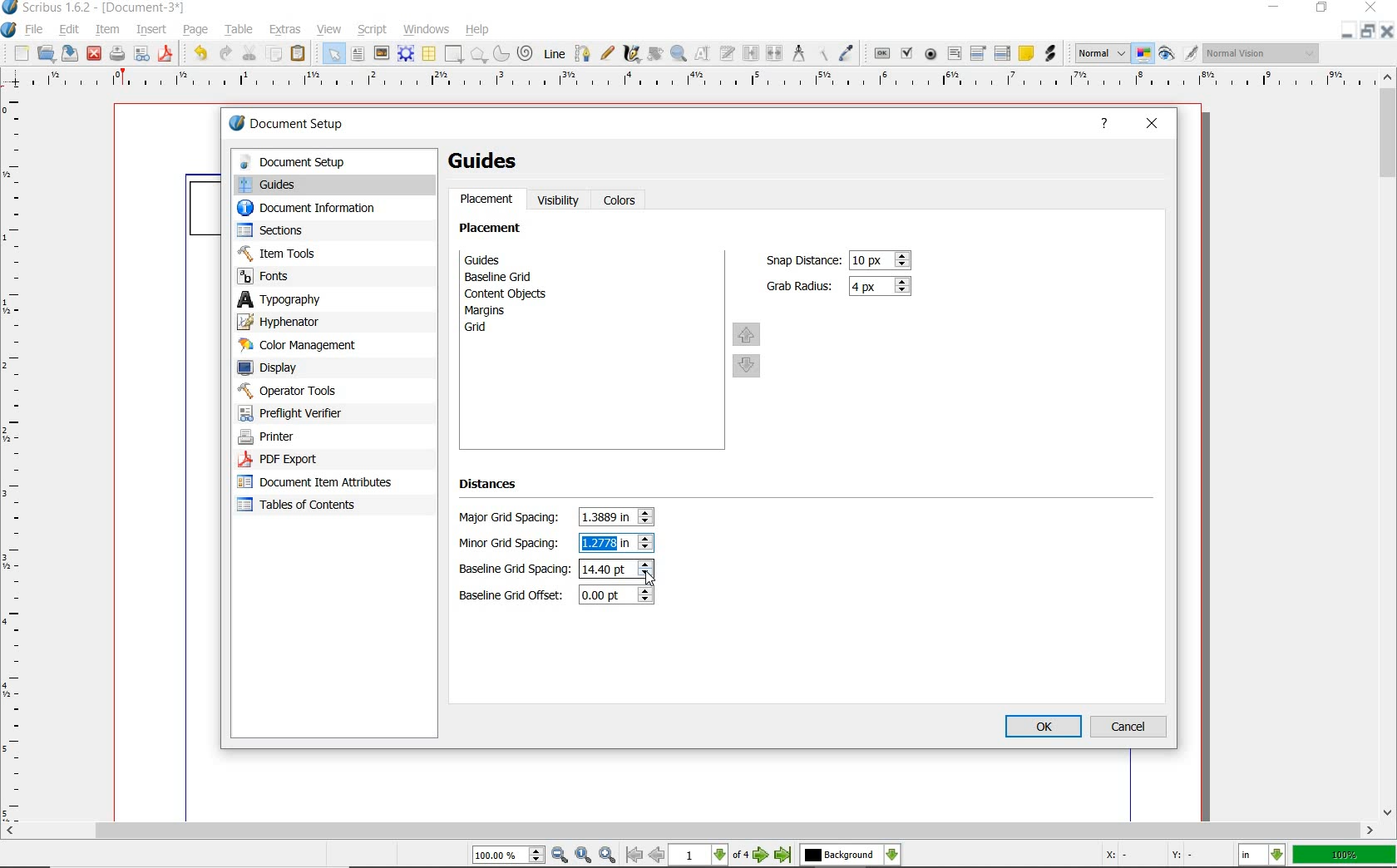 The height and width of the screenshot is (868, 1397). Describe the element at coordinates (1129, 727) in the screenshot. I see `cancel` at that location.